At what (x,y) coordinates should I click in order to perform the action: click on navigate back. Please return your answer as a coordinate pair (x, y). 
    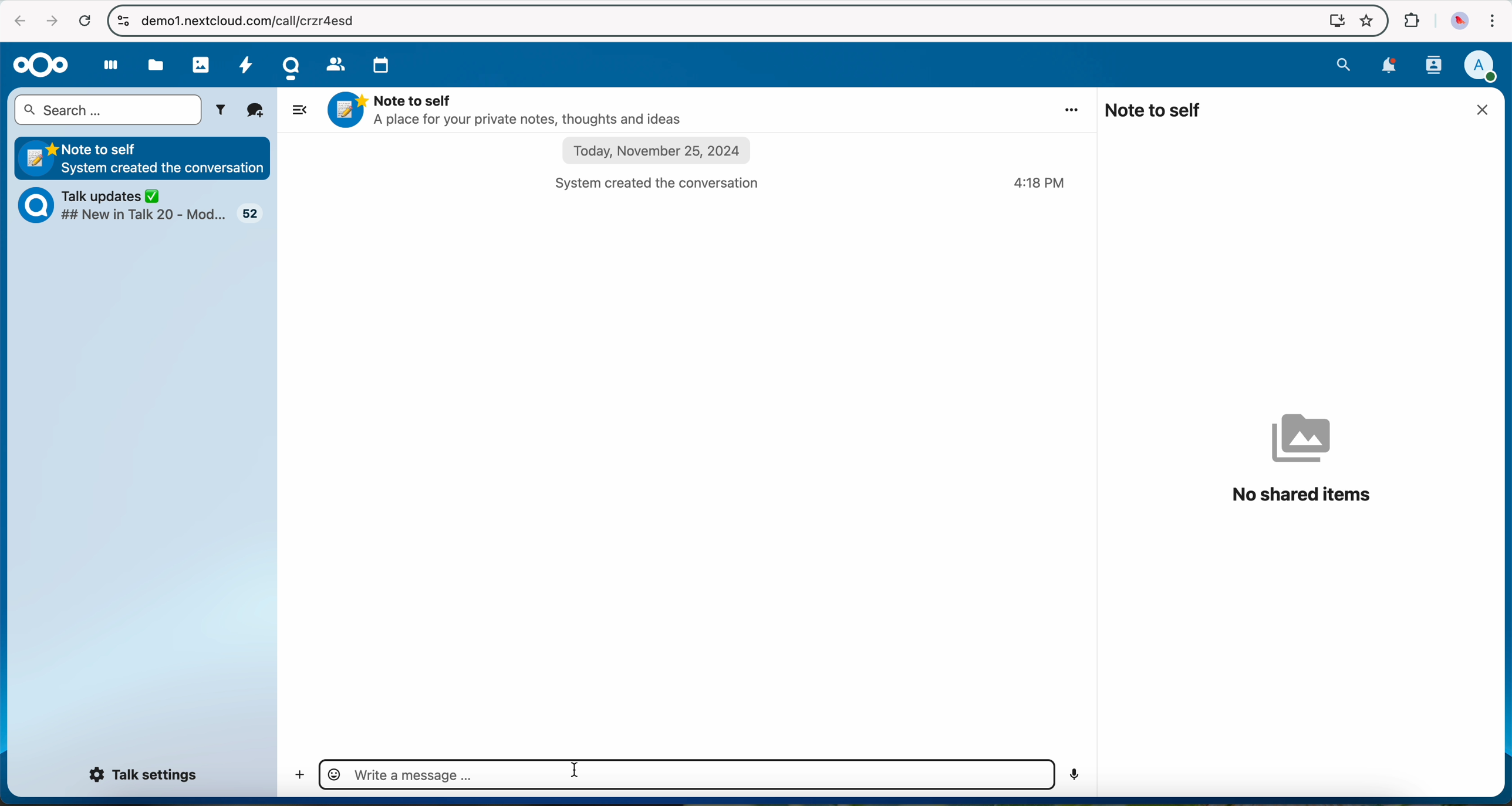
    Looking at the image, I should click on (16, 21).